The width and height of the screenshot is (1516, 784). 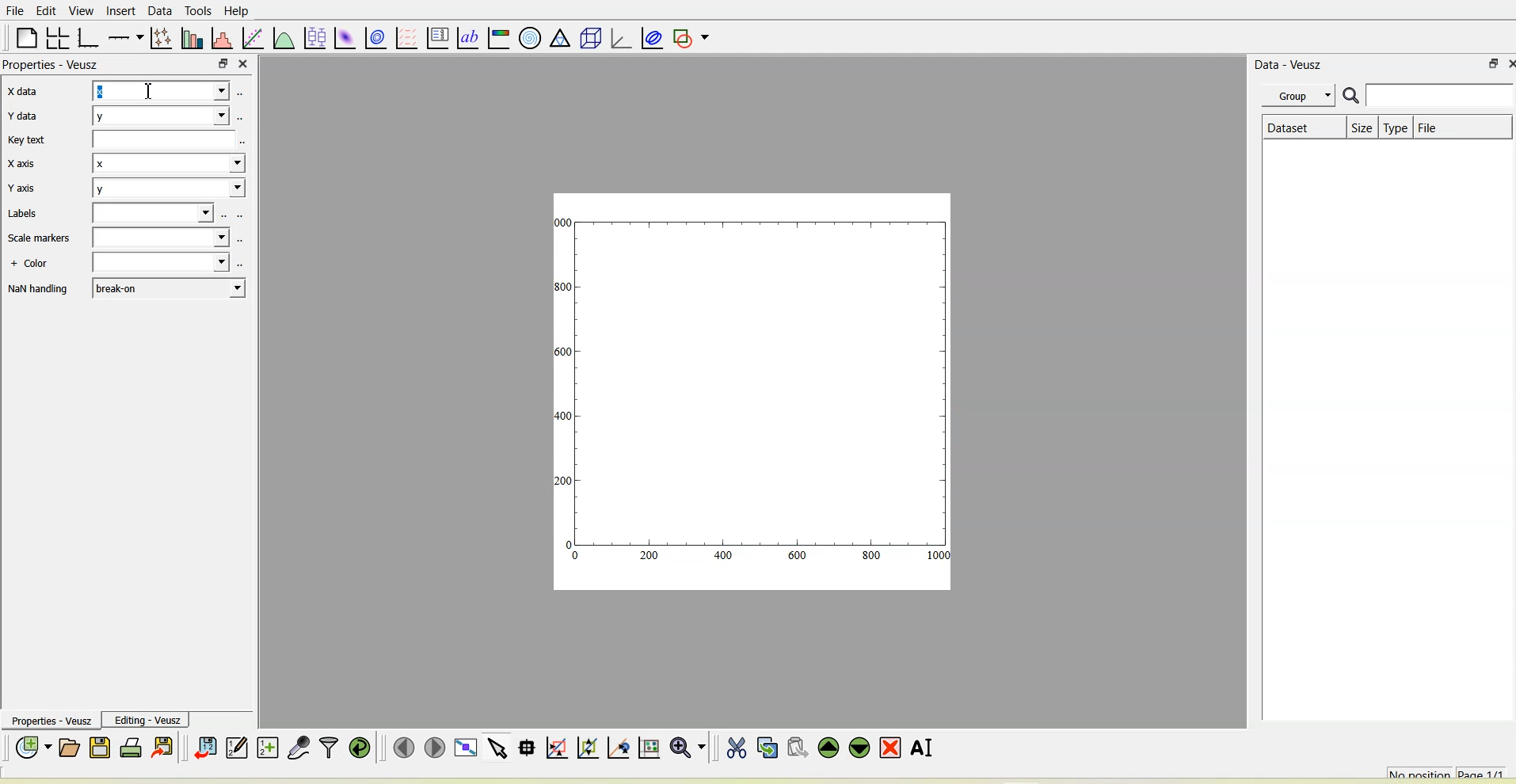 What do you see at coordinates (650, 36) in the screenshot?
I see `Plot covariance ellipses` at bounding box center [650, 36].